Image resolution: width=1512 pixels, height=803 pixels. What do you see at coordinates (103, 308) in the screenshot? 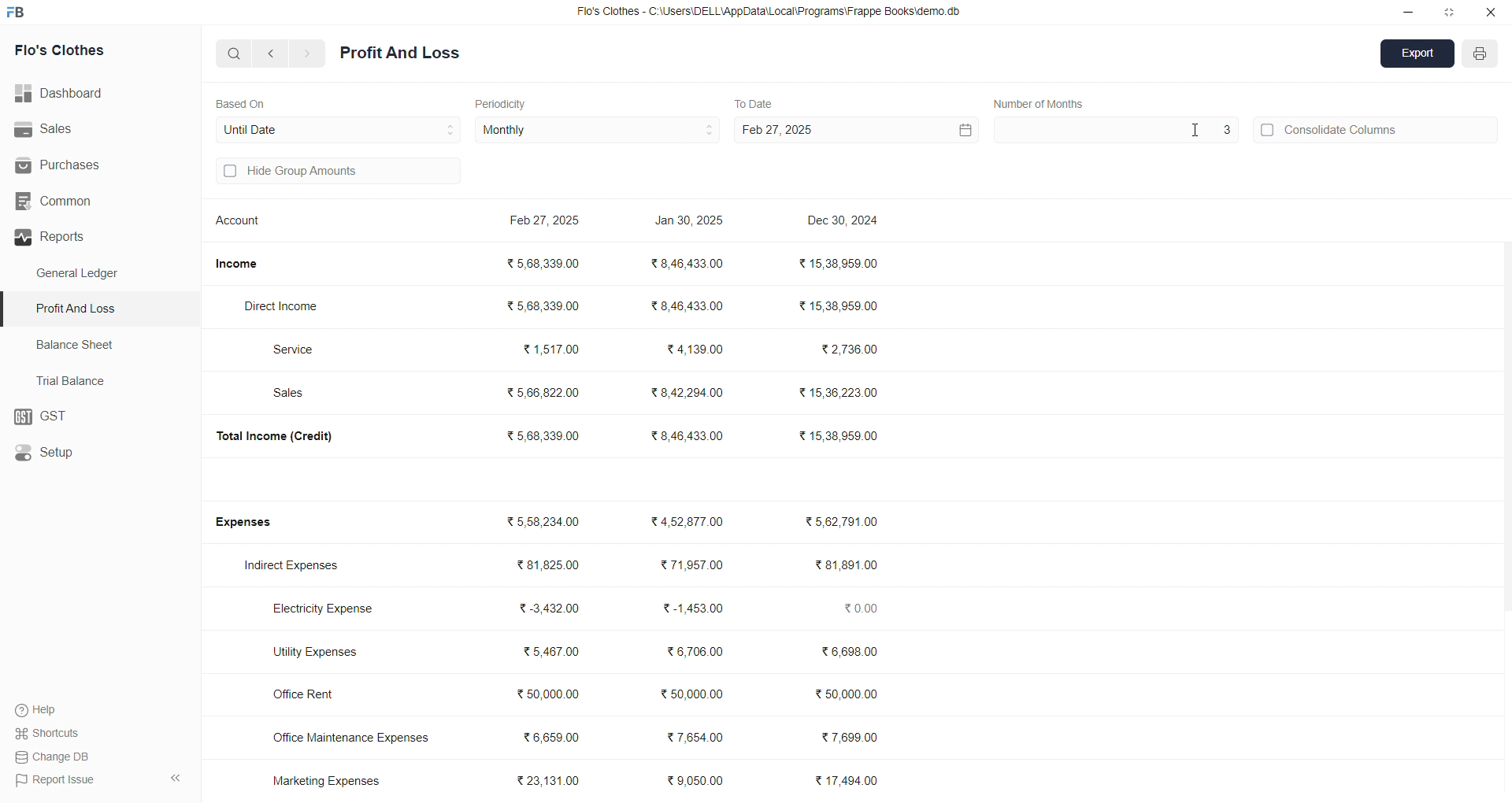
I see `Profit And Loss` at bounding box center [103, 308].